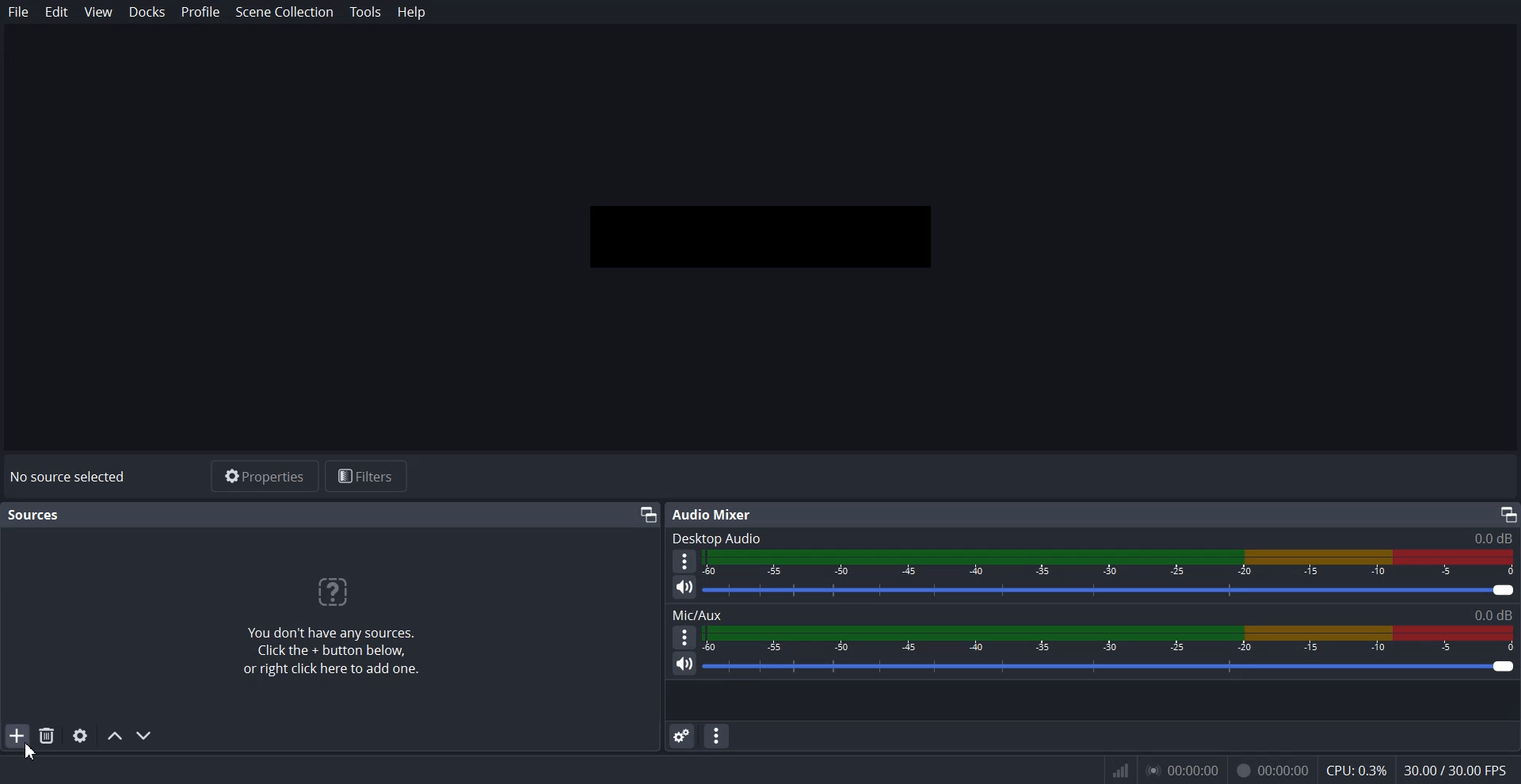 This screenshot has width=1521, height=784. What do you see at coordinates (17, 735) in the screenshot?
I see `Add Source` at bounding box center [17, 735].